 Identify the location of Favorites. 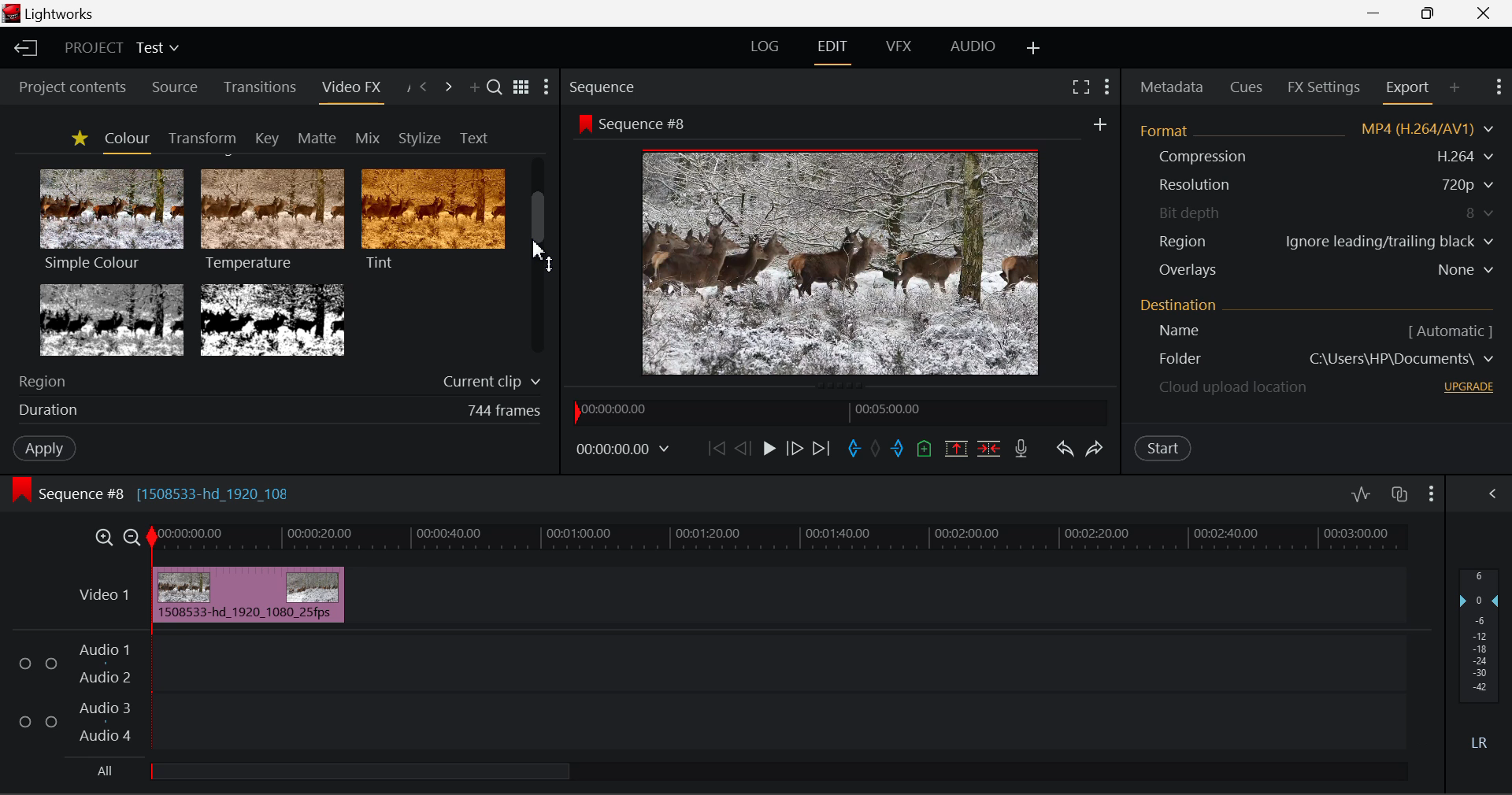
(77, 139).